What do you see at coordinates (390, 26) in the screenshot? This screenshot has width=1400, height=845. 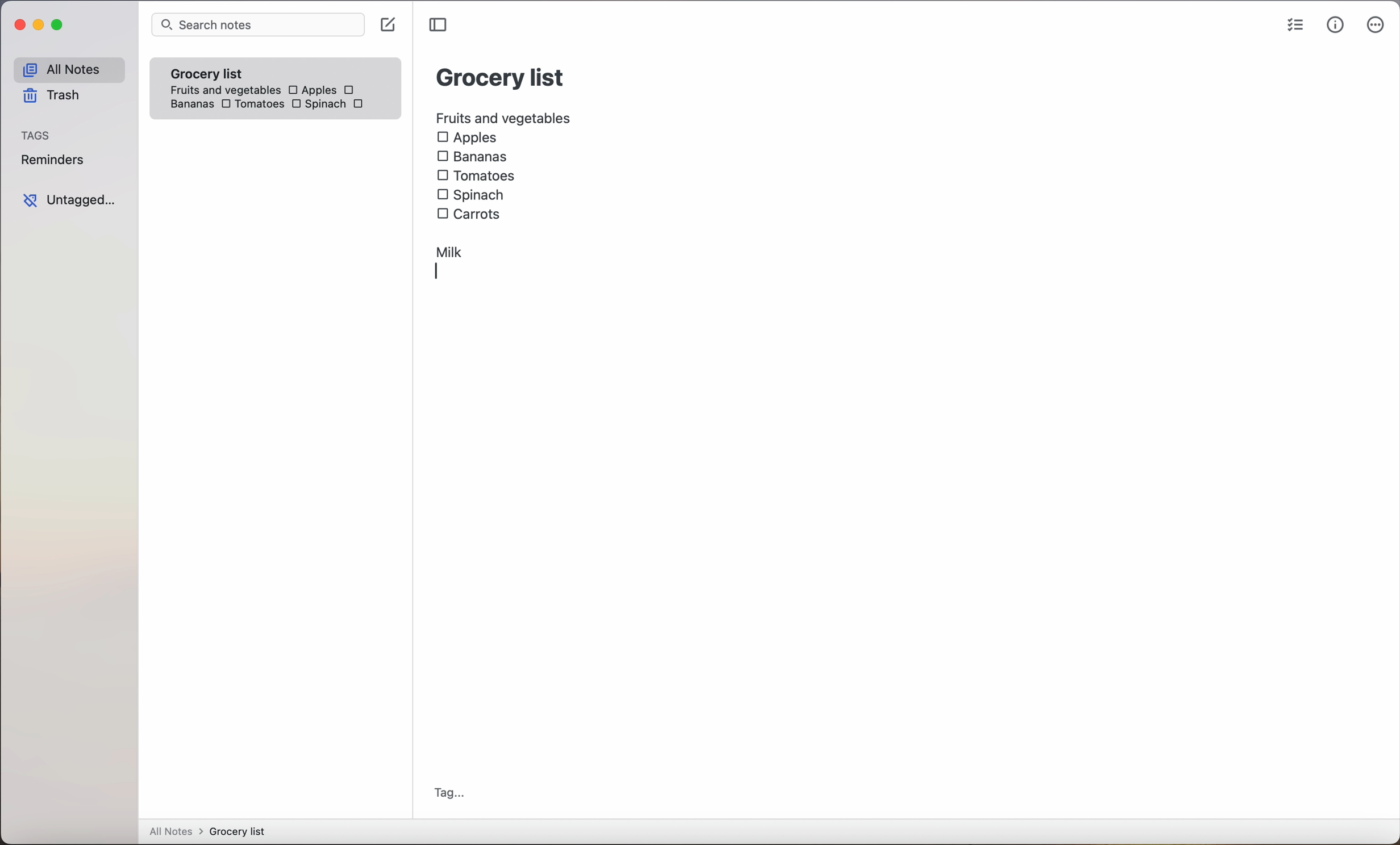 I see `click on create note` at bounding box center [390, 26].